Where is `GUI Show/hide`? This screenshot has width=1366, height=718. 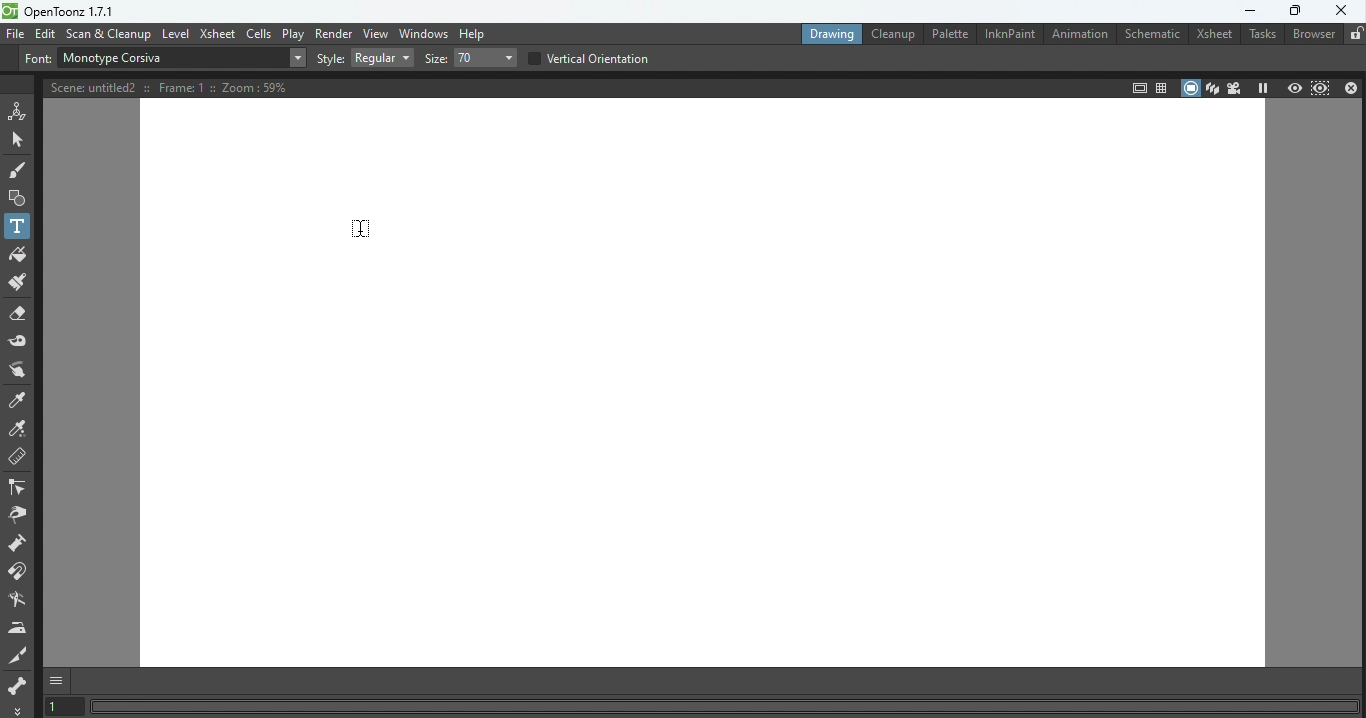
GUI Show/hide is located at coordinates (59, 679).